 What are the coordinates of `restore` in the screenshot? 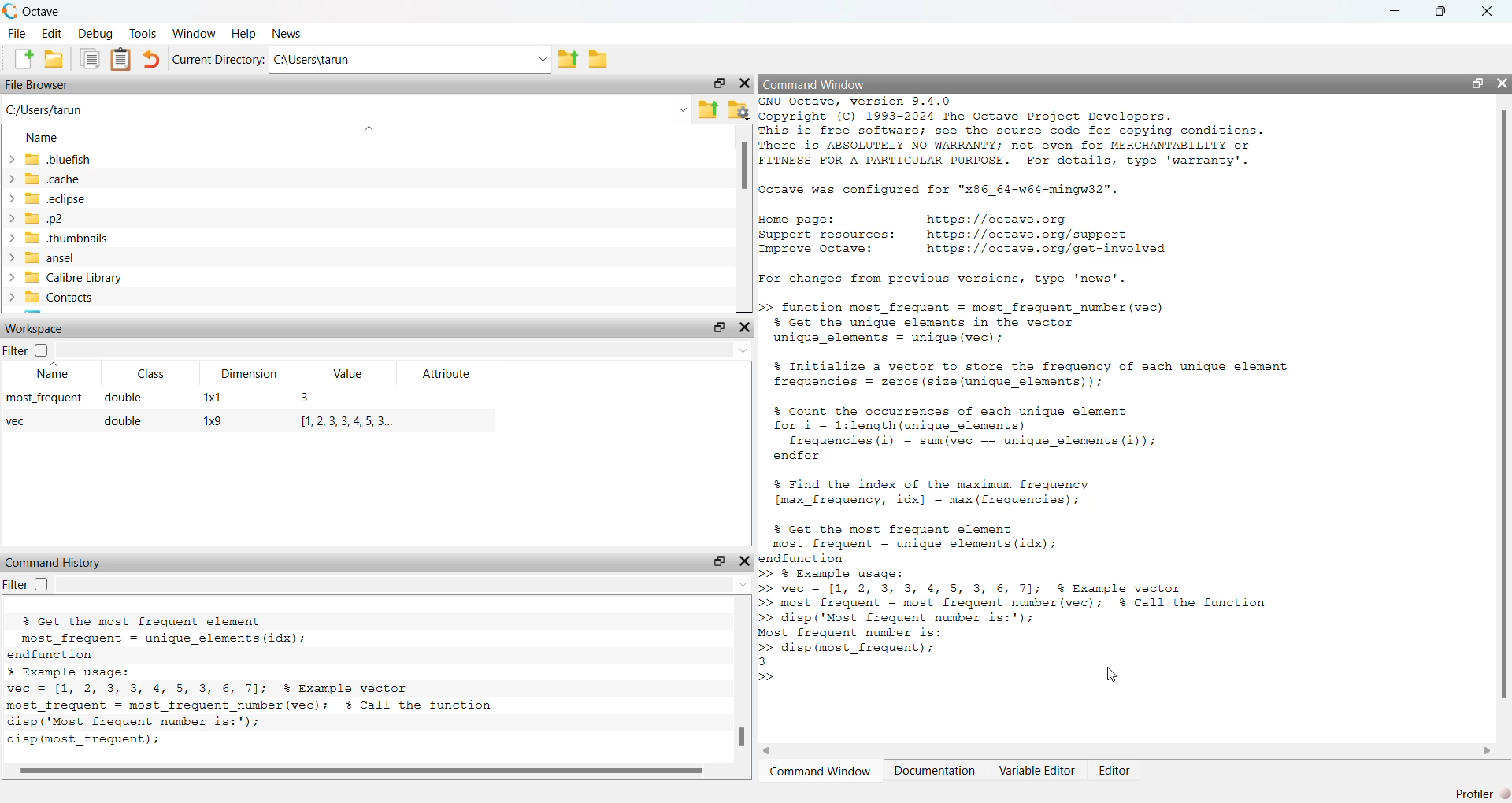 It's located at (1440, 13).